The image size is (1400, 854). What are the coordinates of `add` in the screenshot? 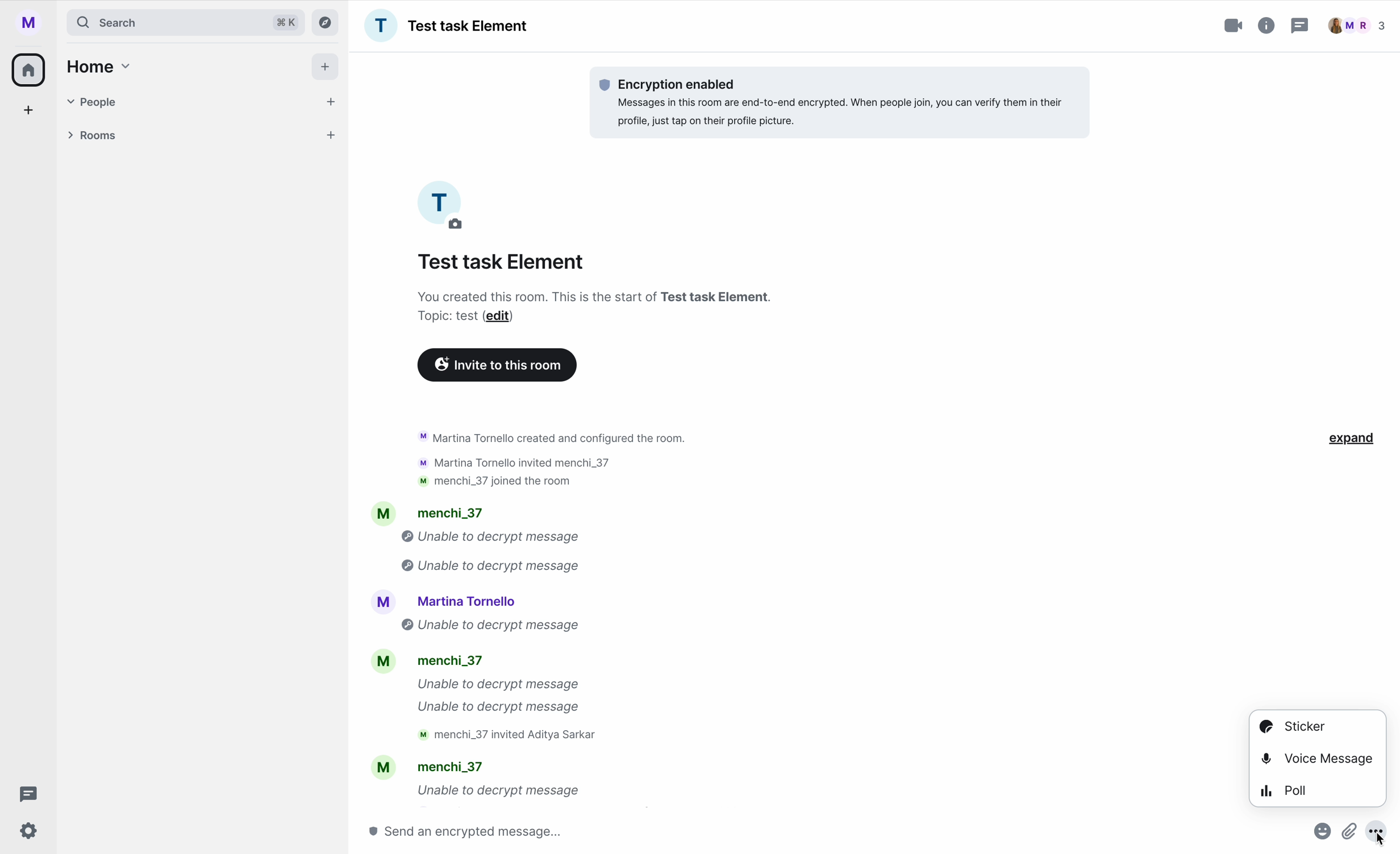 It's located at (327, 69).